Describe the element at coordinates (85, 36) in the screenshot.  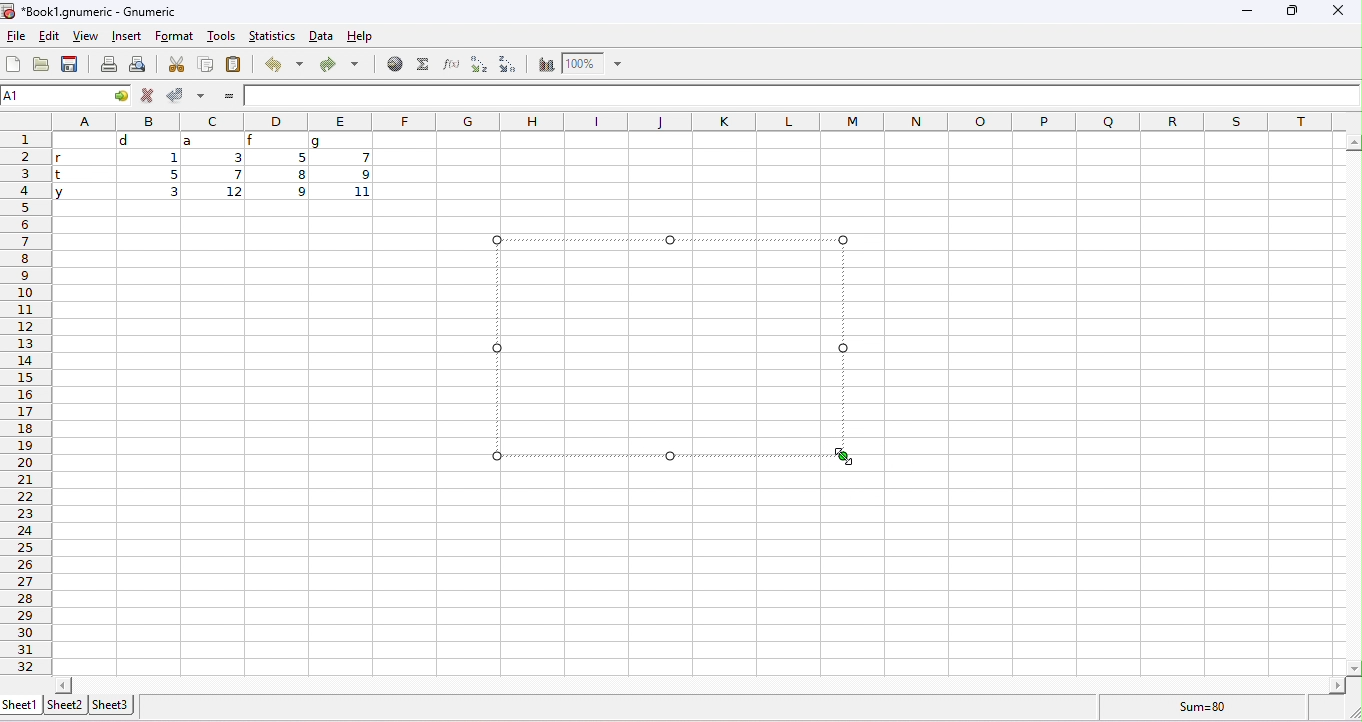
I see `view` at that location.